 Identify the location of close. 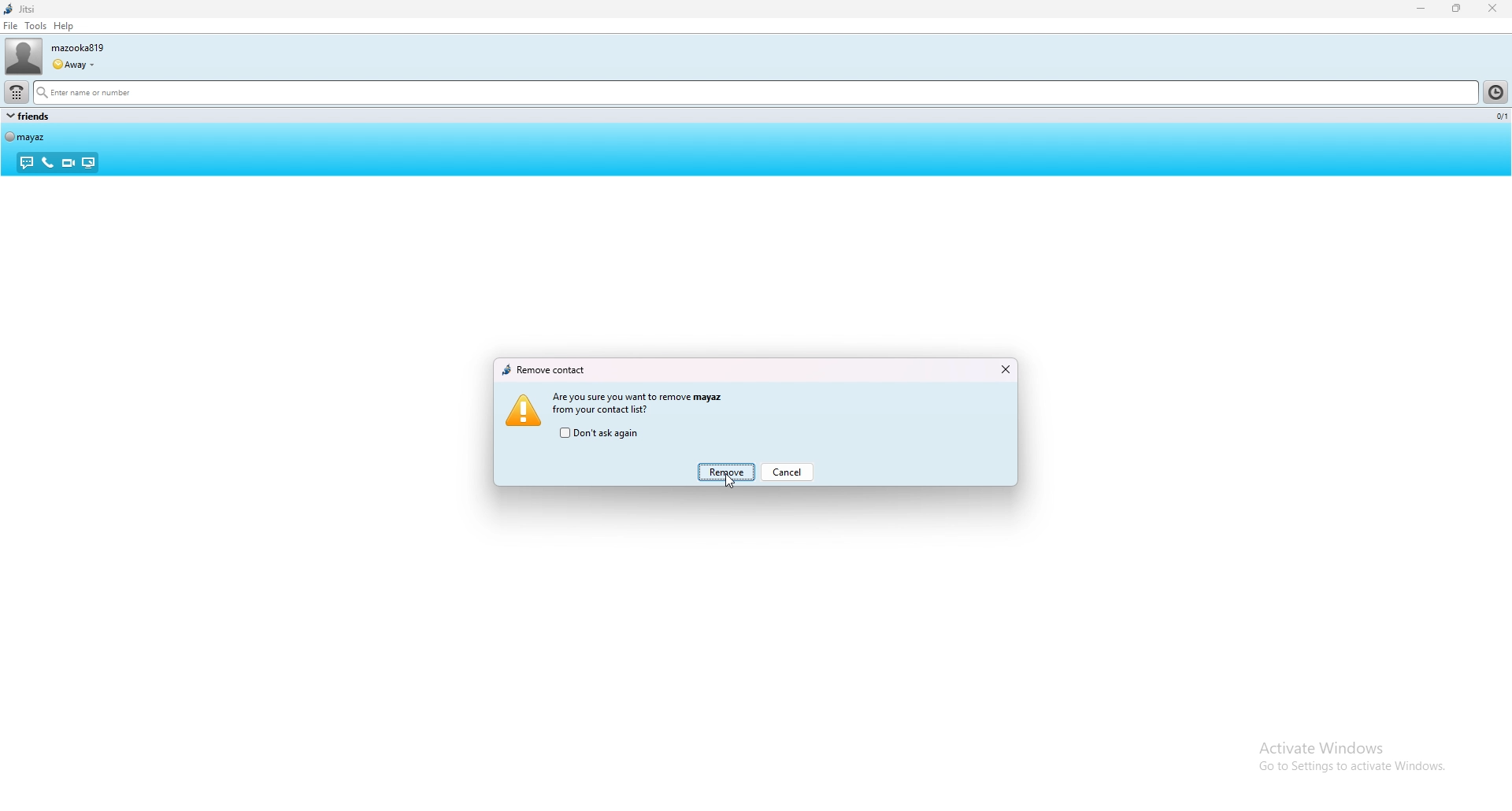
(1001, 370).